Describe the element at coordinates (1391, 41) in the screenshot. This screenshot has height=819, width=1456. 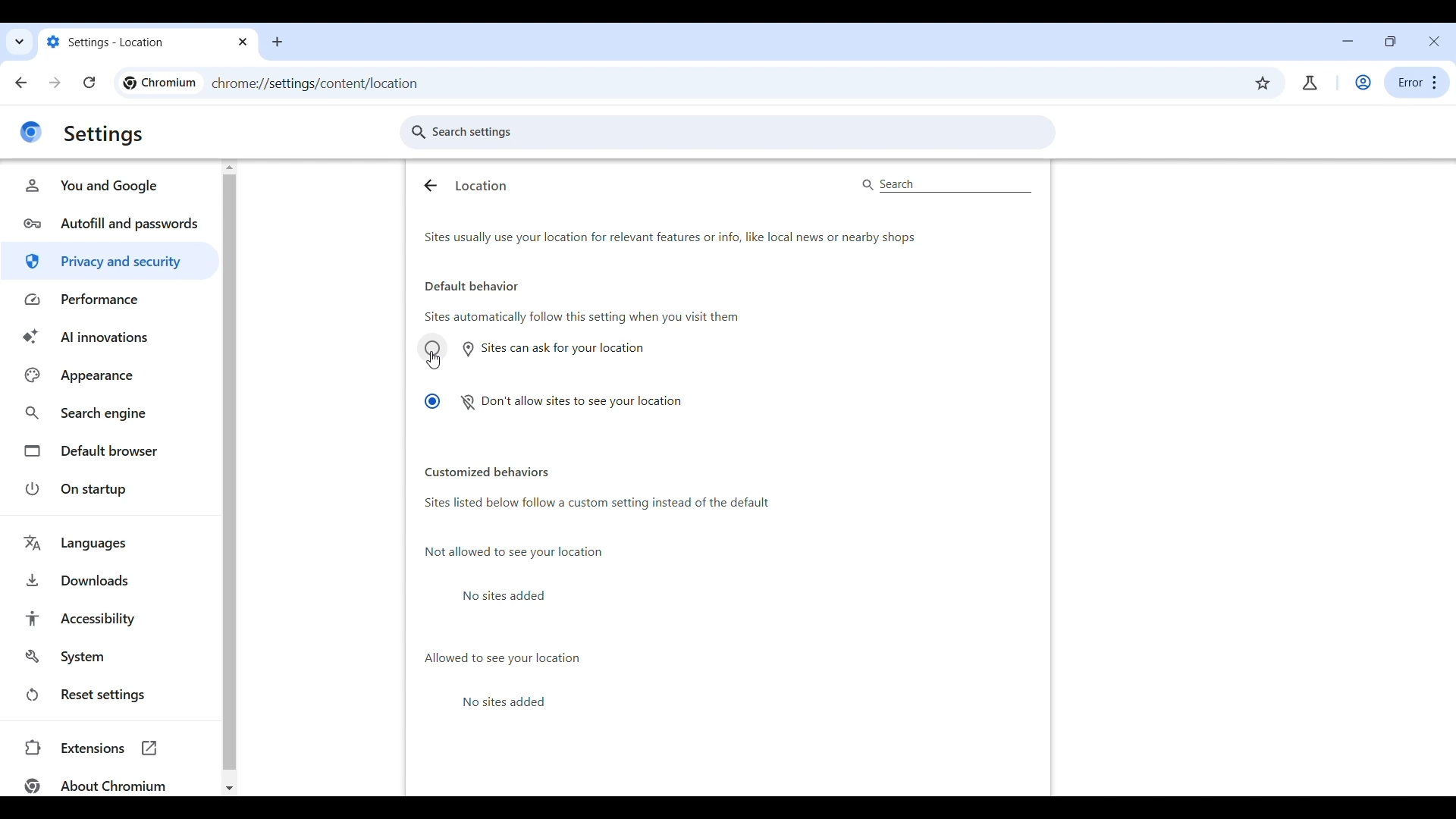
I see `resize` at that location.